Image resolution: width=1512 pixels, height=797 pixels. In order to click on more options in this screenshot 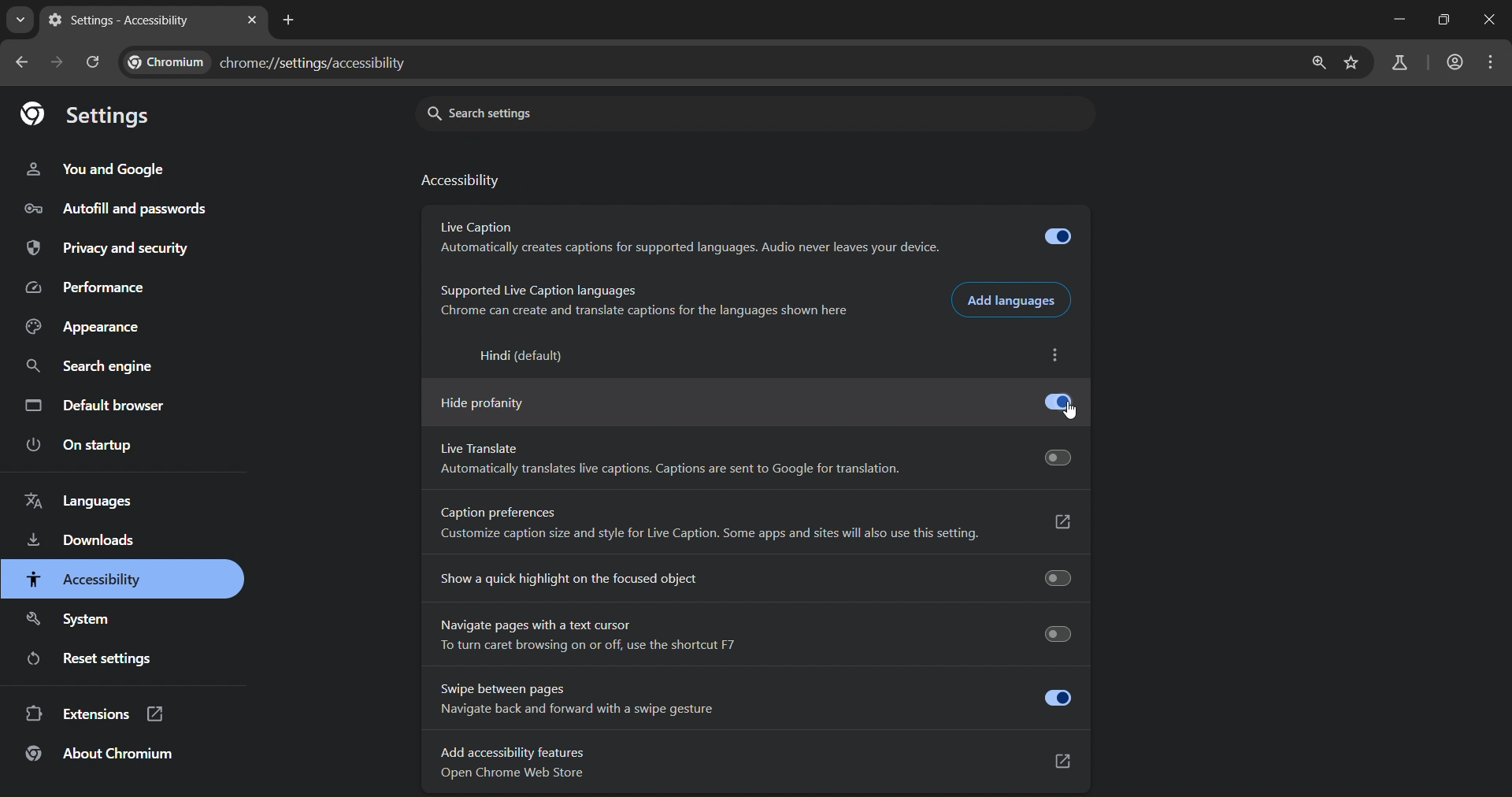, I will do `click(1057, 357)`.